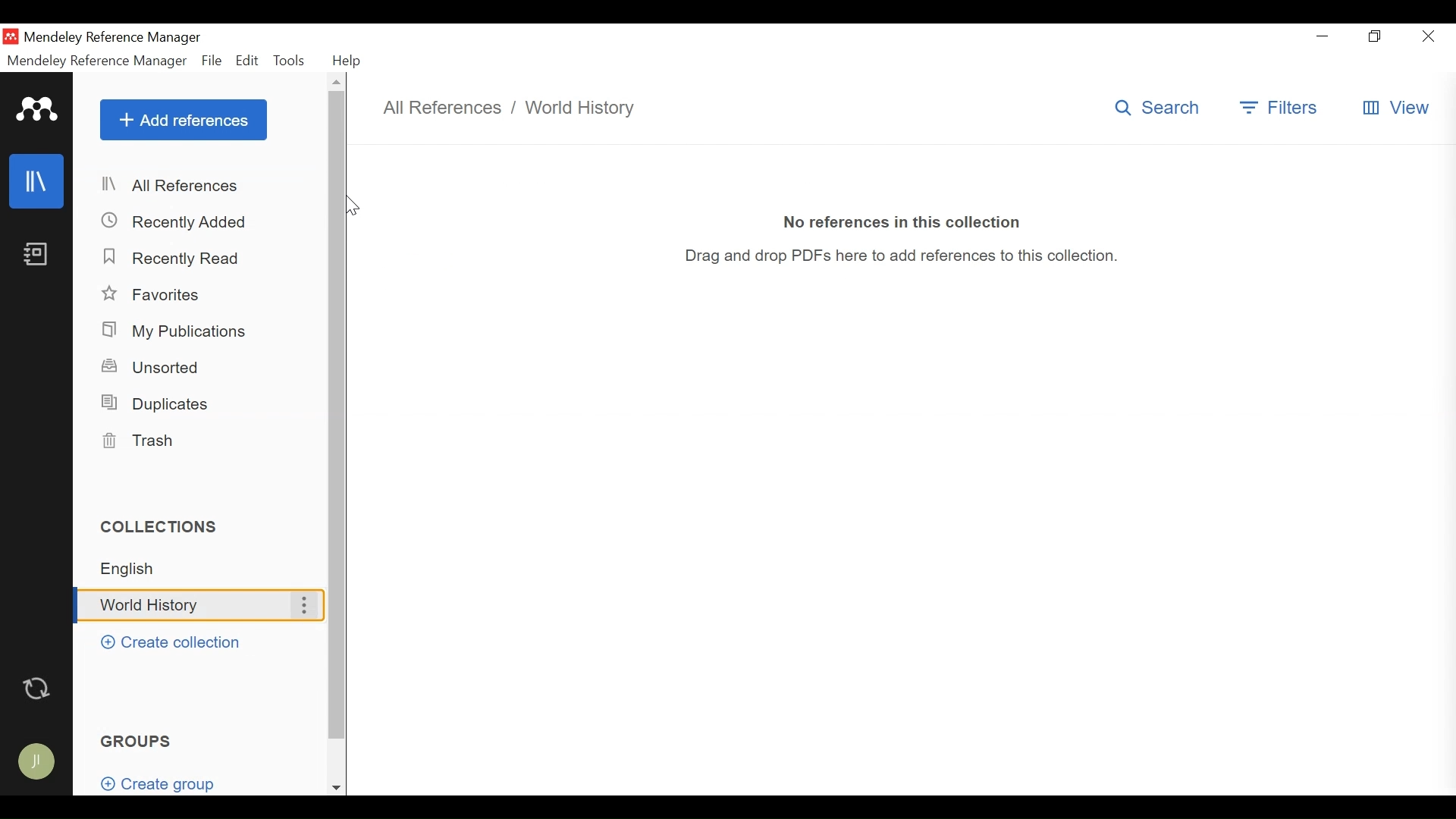  I want to click on Mendeley logo, so click(37, 110).